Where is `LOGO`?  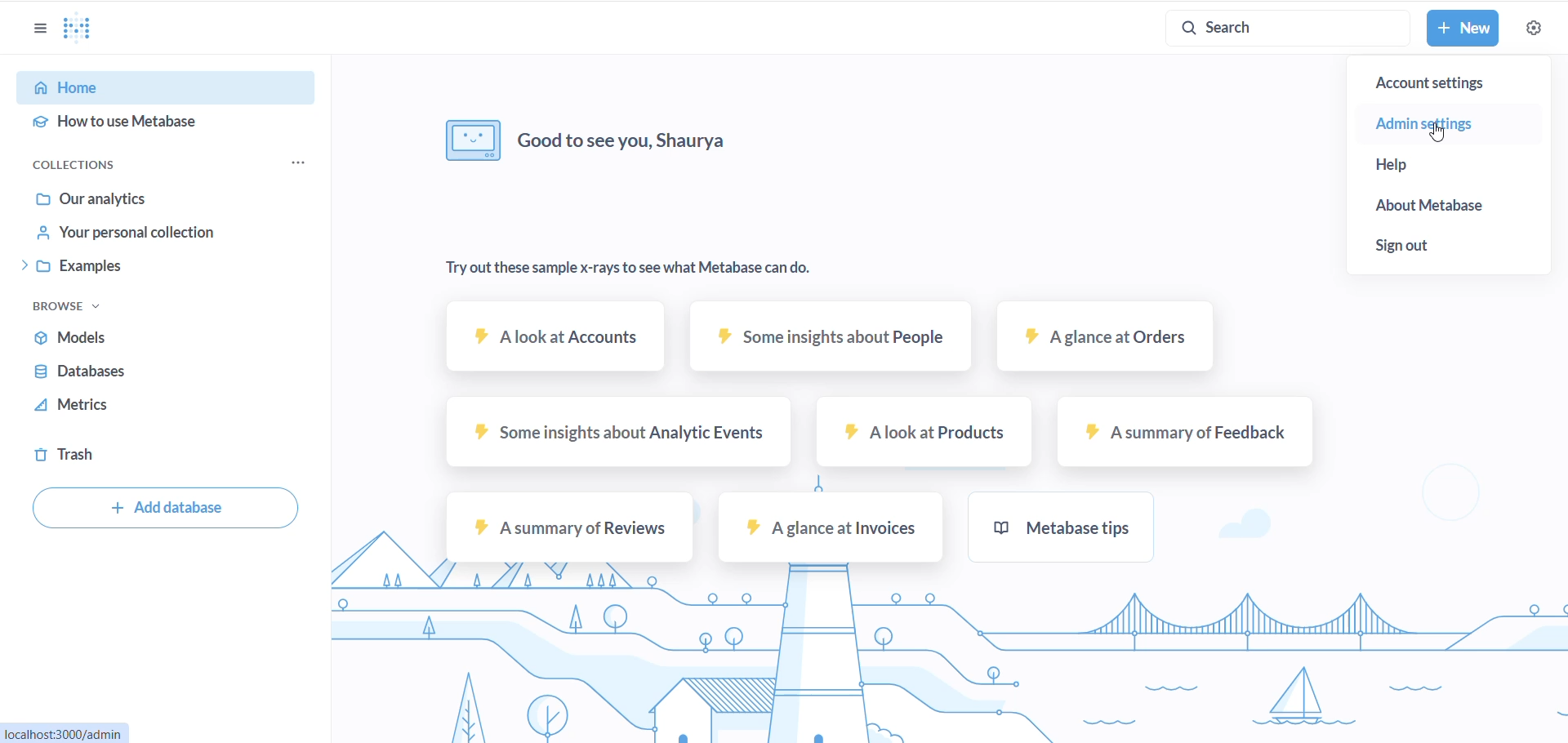 LOGO is located at coordinates (81, 28).